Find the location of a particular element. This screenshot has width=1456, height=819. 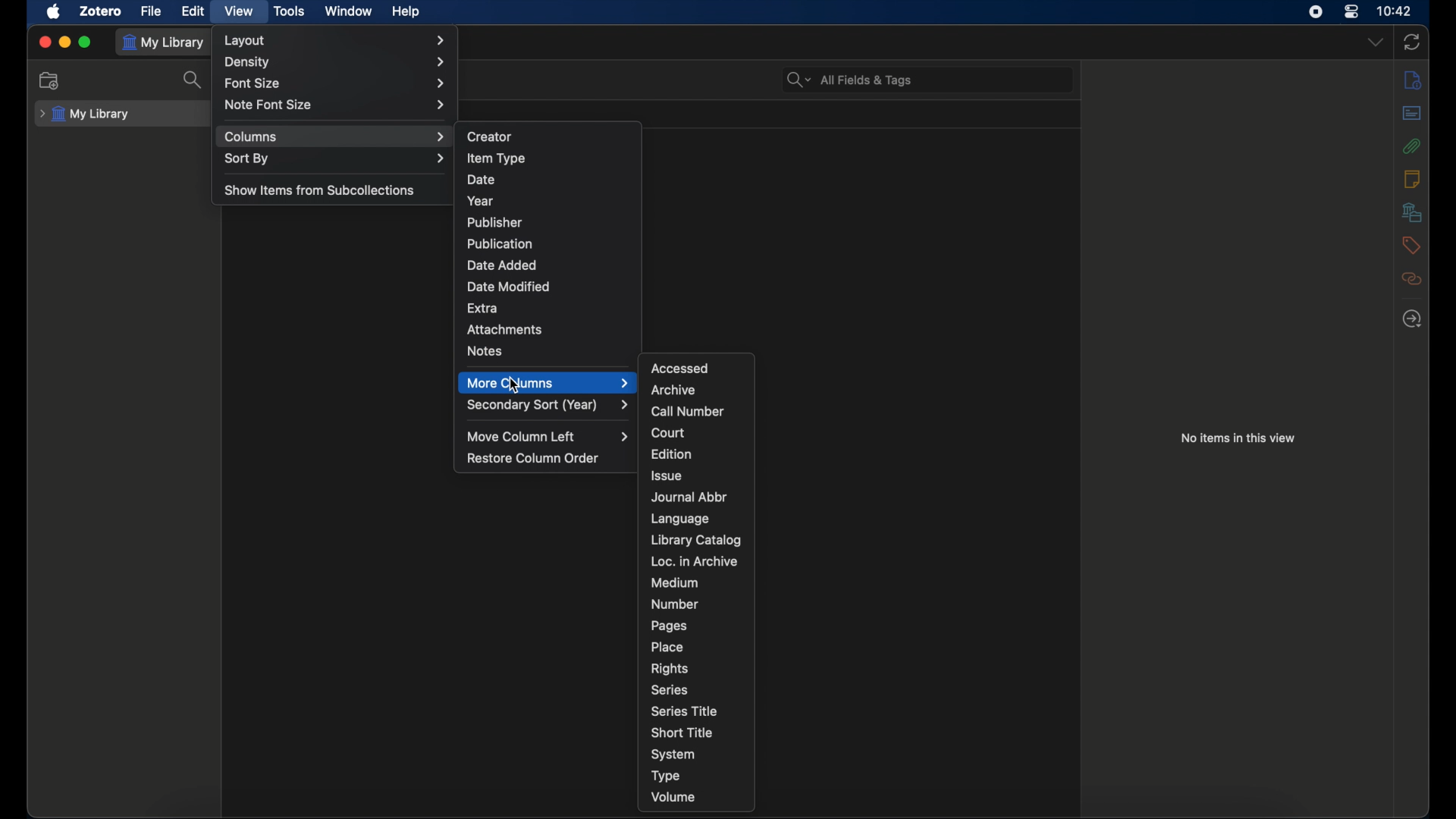

Cursor is located at coordinates (518, 385).